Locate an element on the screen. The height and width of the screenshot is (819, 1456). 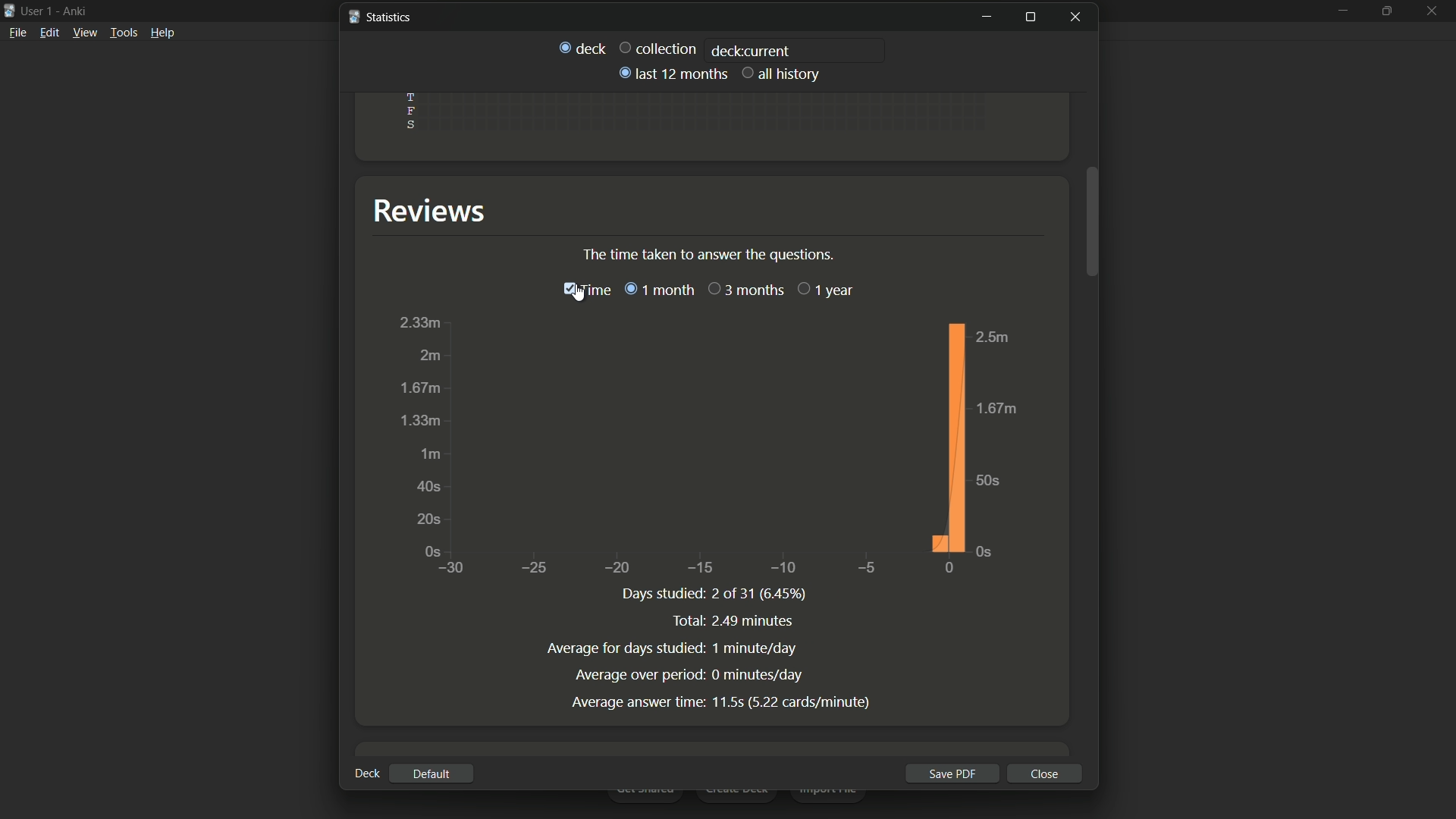
cursor is located at coordinates (580, 296).